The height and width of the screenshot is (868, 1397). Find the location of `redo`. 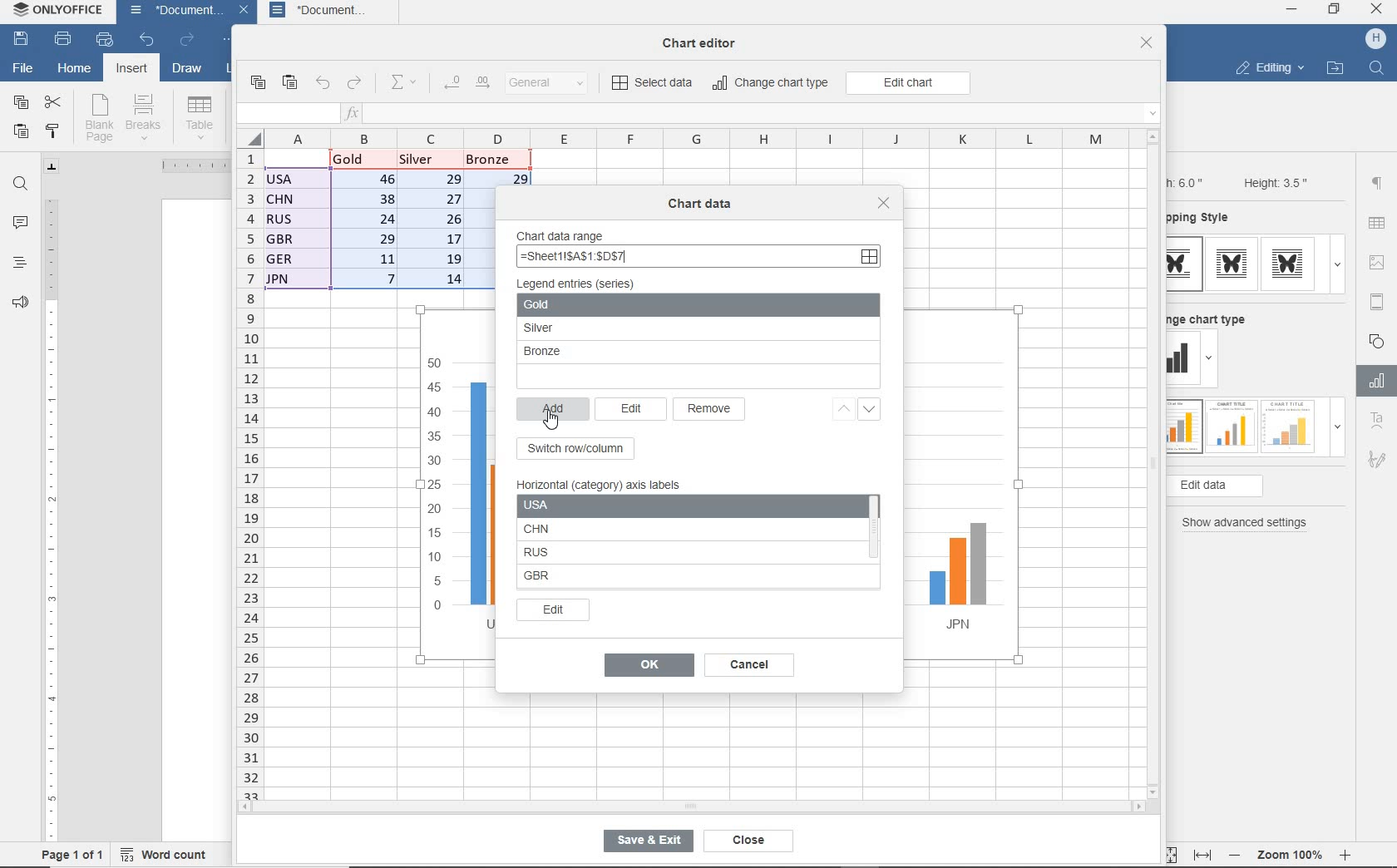

redo is located at coordinates (186, 41).